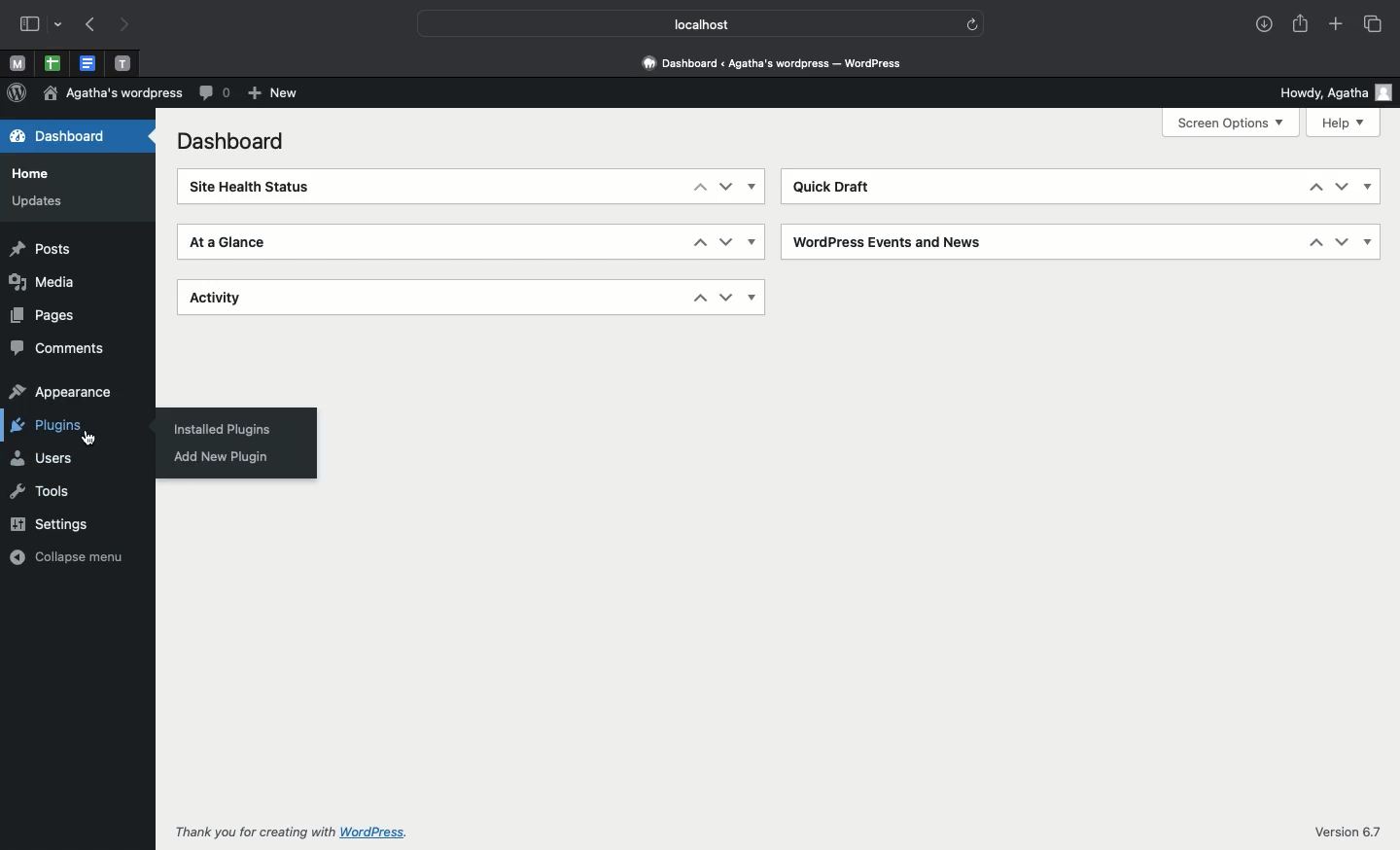 Image resolution: width=1400 pixels, height=850 pixels. I want to click on Howdy user, so click(1335, 90).